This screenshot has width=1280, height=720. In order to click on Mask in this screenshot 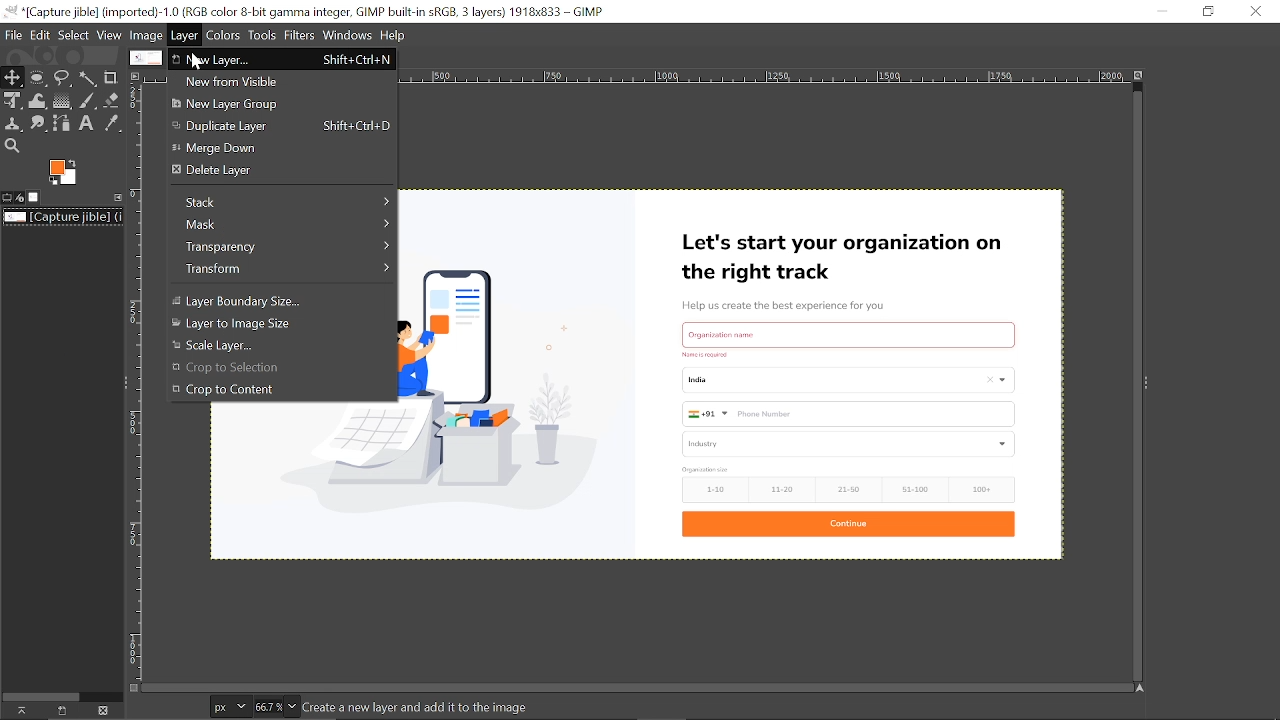, I will do `click(284, 223)`.